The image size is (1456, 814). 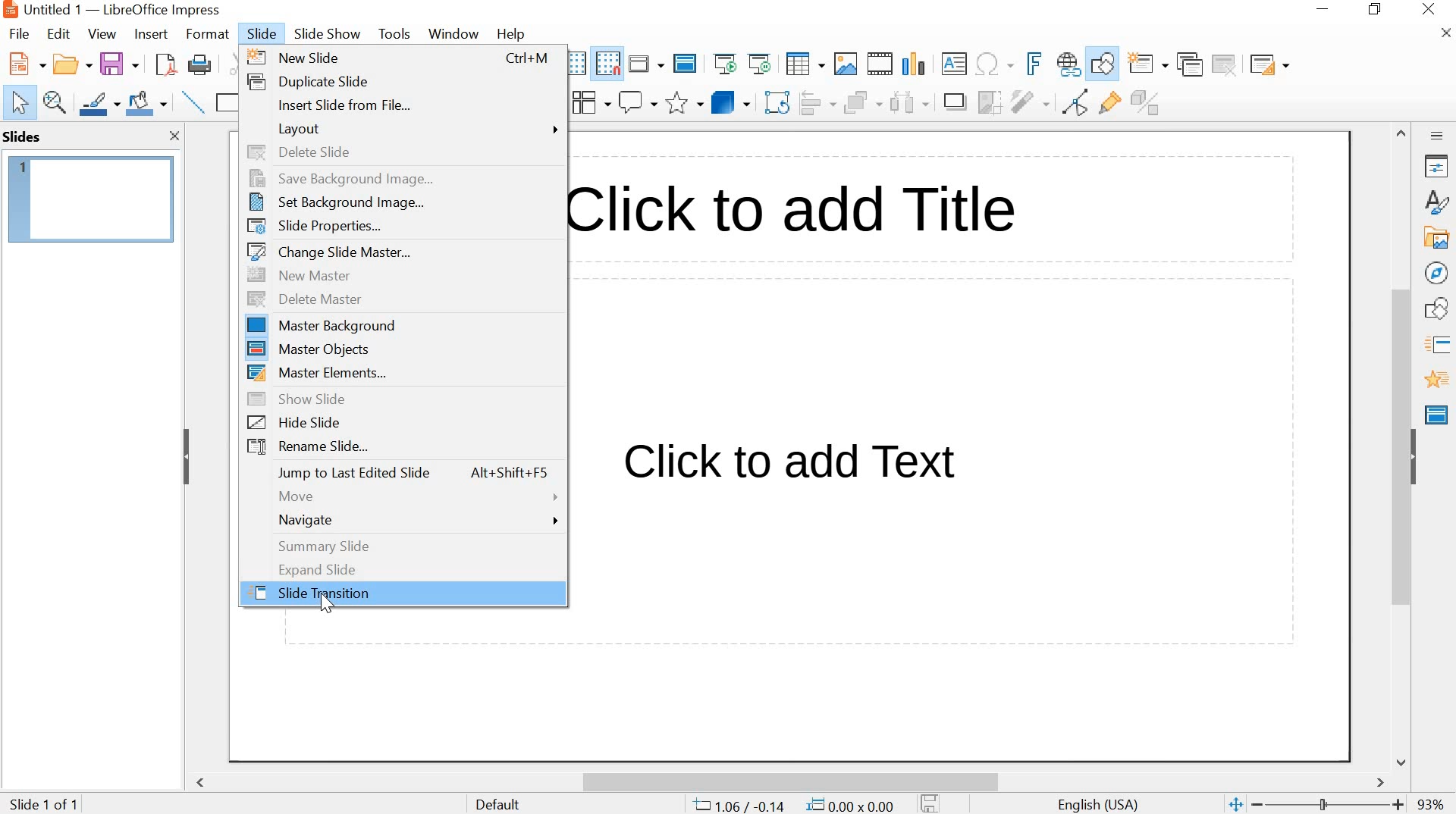 I want to click on show slide, so click(x=400, y=397).